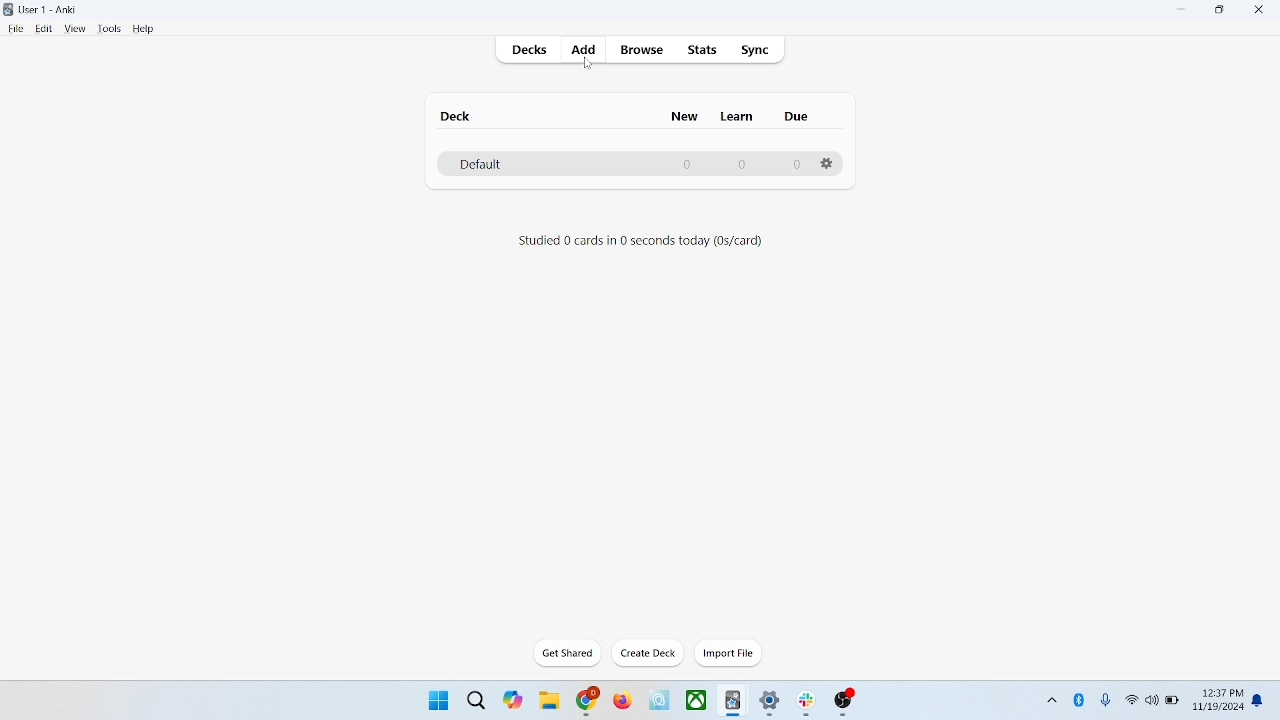 The width and height of the screenshot is (1280, 720). I want to click on 11/19/2024, so click(1217, 708).